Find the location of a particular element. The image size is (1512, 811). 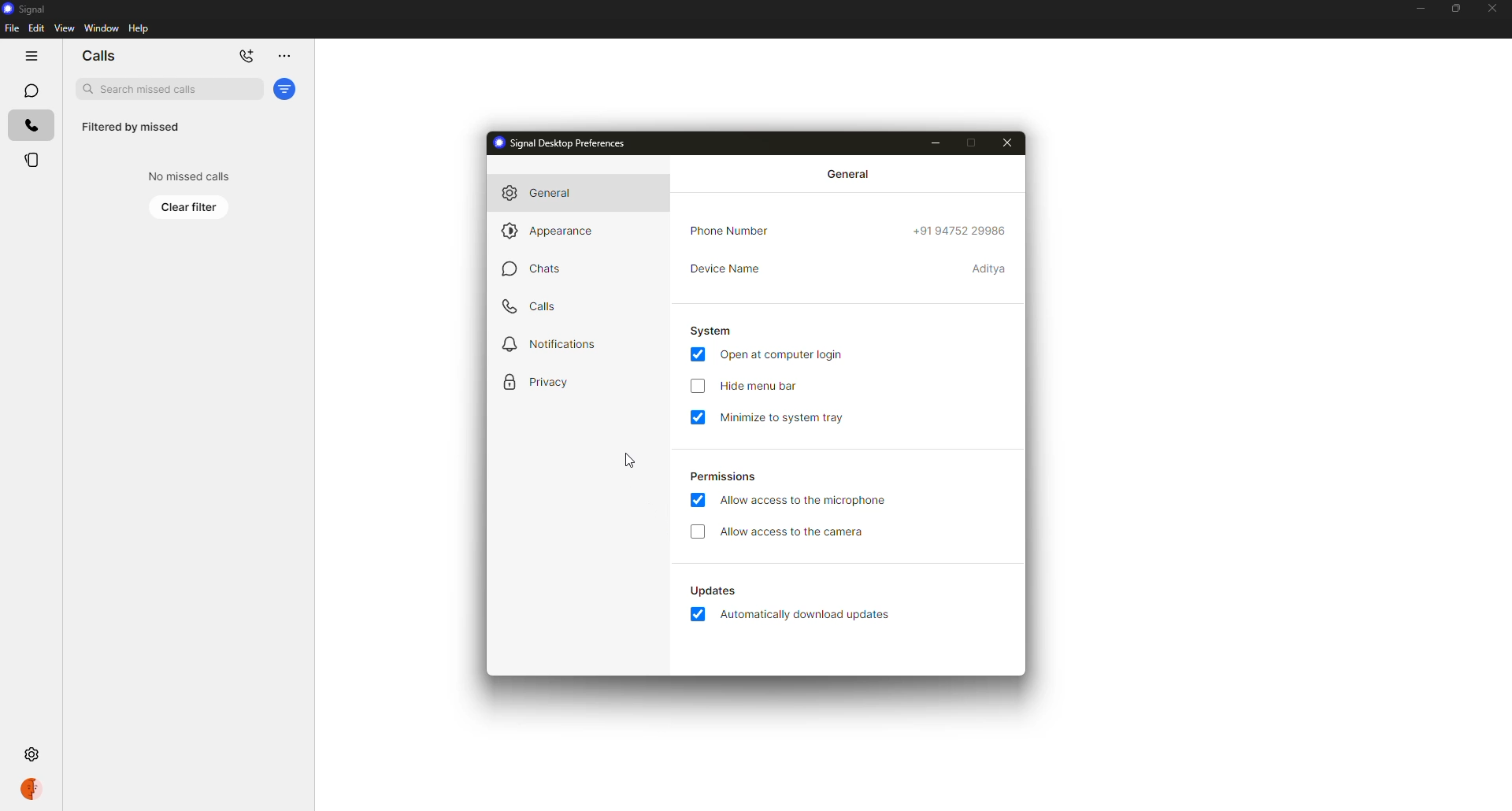

click to enable is located at coordinates (696, 386).